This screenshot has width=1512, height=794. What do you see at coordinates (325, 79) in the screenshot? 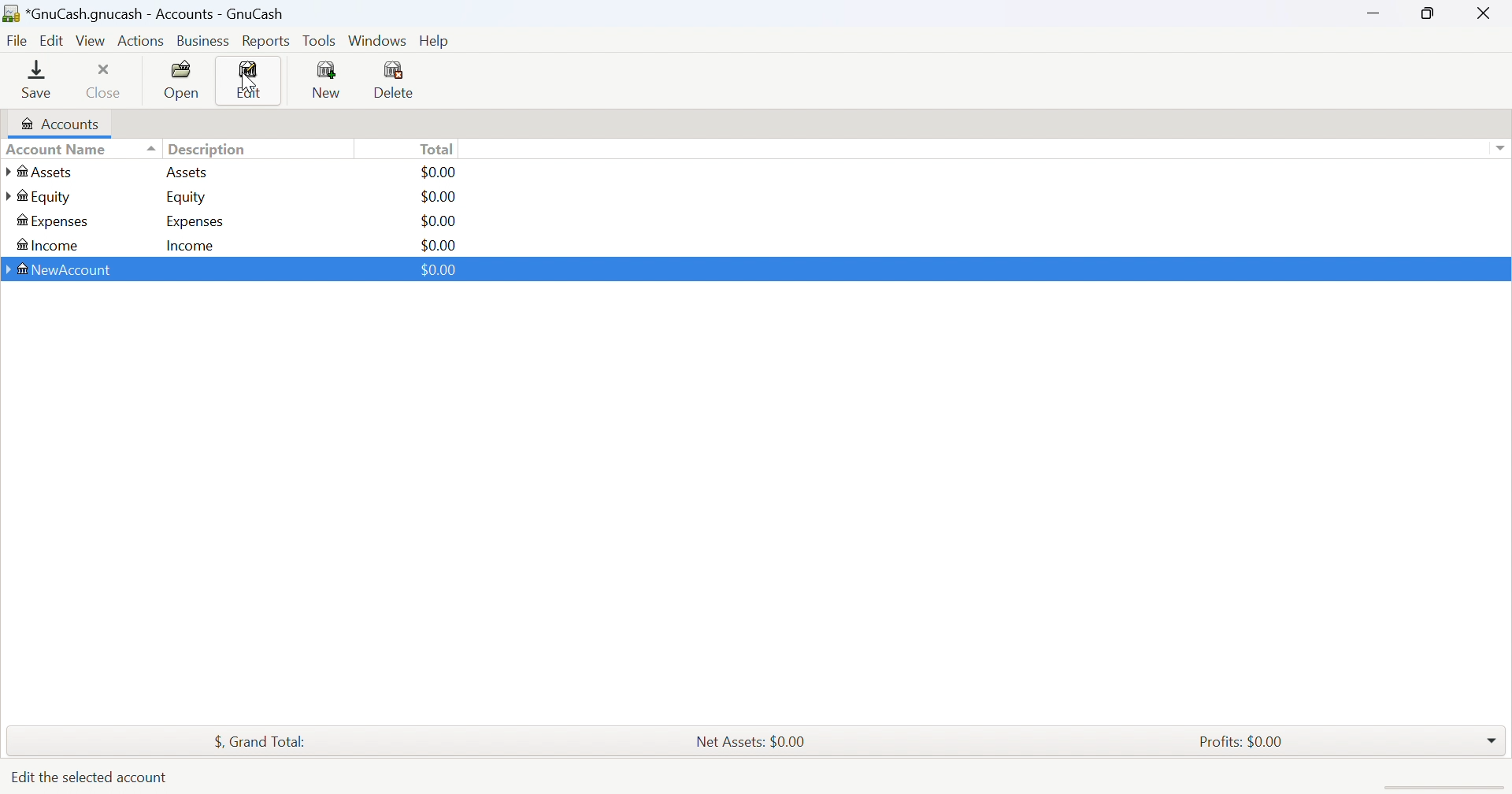
I see `New` at bounding box center [325, 79].